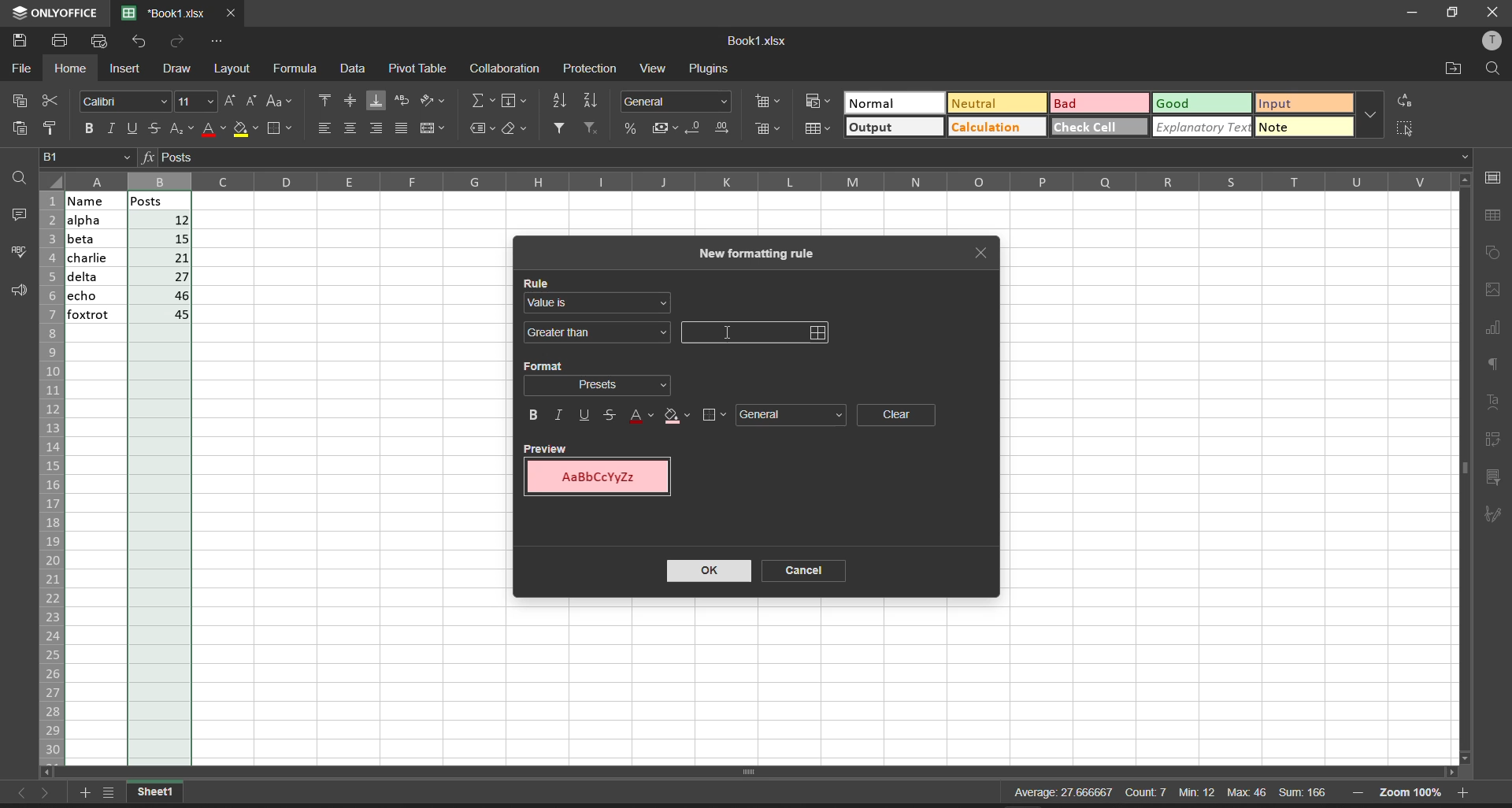 The width and height of the screenshot is (1512, 808). What do you see at coordinates (980, 252) in the screenshot?
I see `close tab` at bounding box center [980, 252].